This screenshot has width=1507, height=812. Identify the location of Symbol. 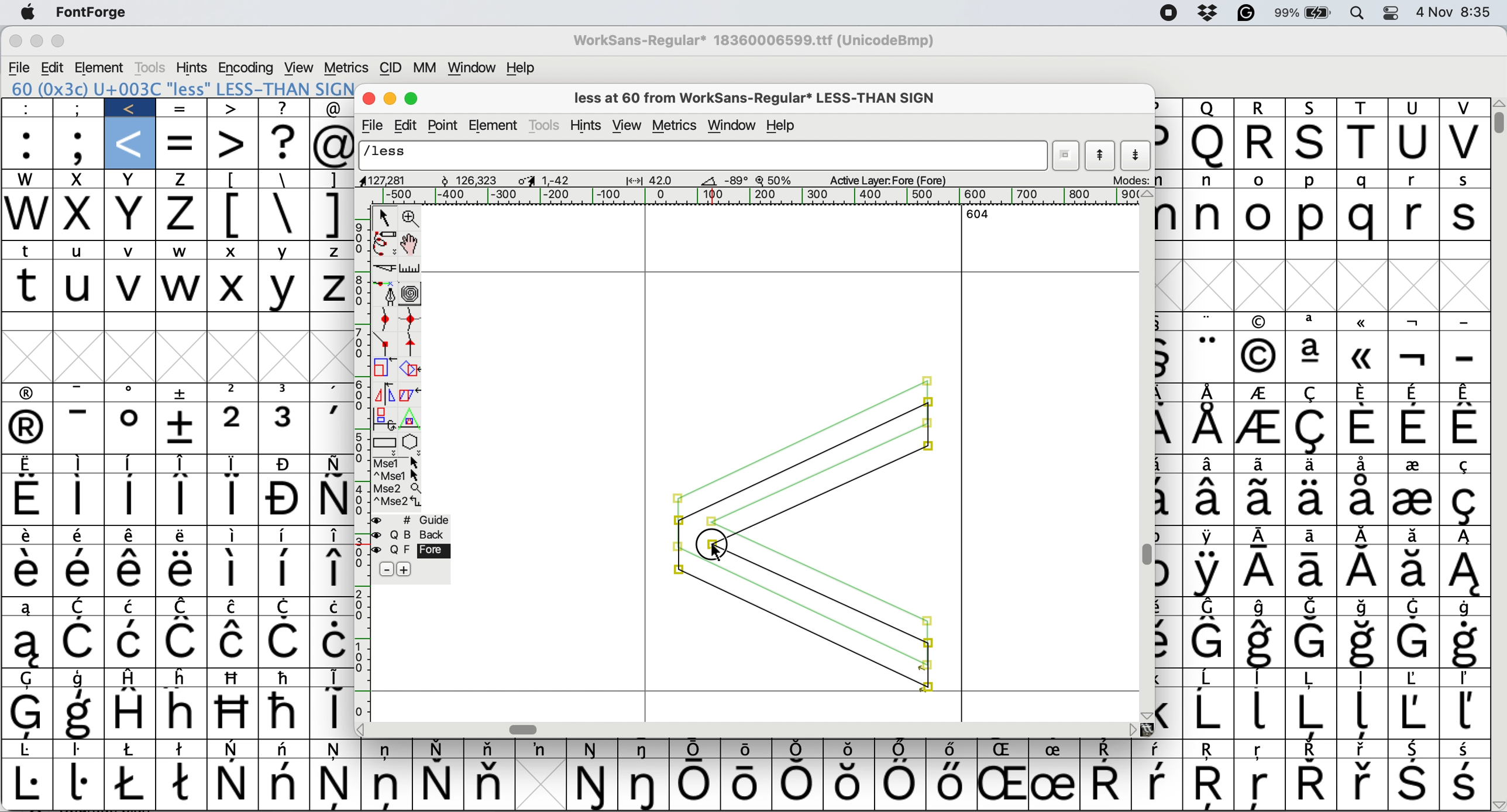
(592, 786).